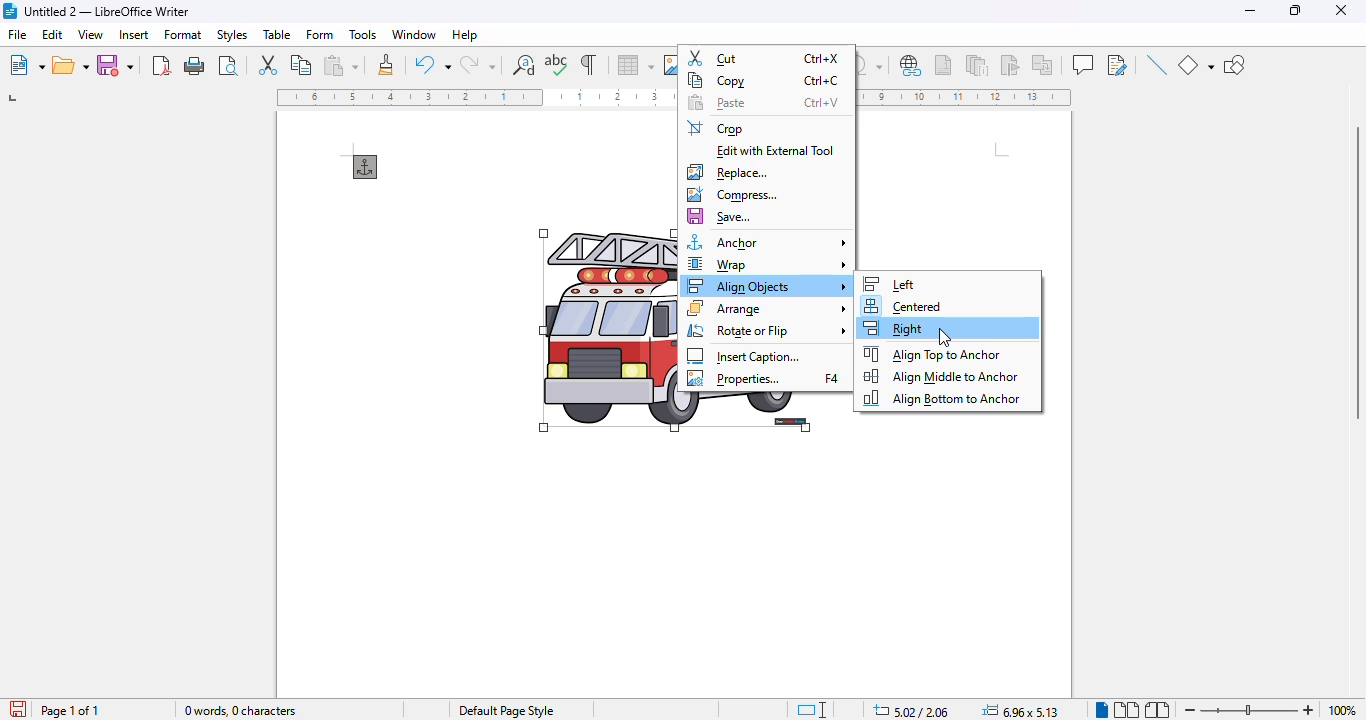  What do you see at coordinates (945, 336) in the screenshot?
I see `cursor` at bounding box center [945, 336].